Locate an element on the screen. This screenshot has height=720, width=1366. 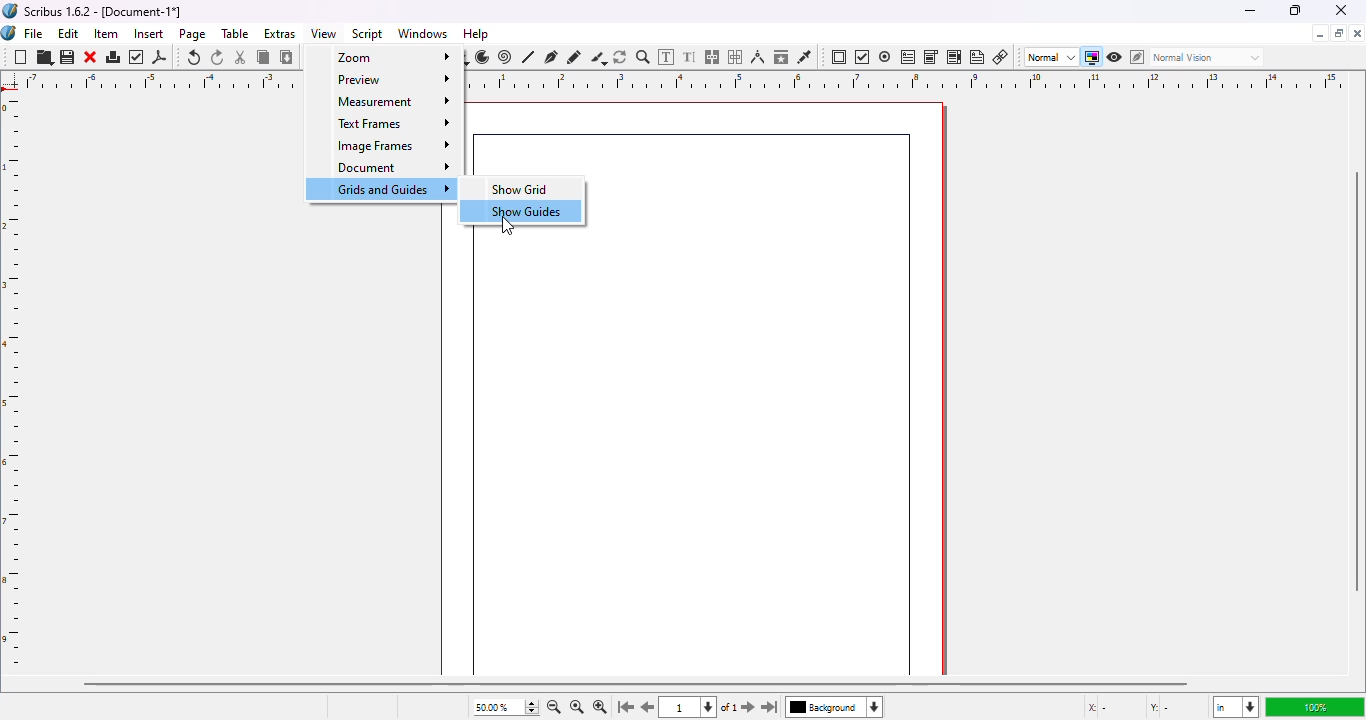
link text frames is located at coordinates (713, 57).